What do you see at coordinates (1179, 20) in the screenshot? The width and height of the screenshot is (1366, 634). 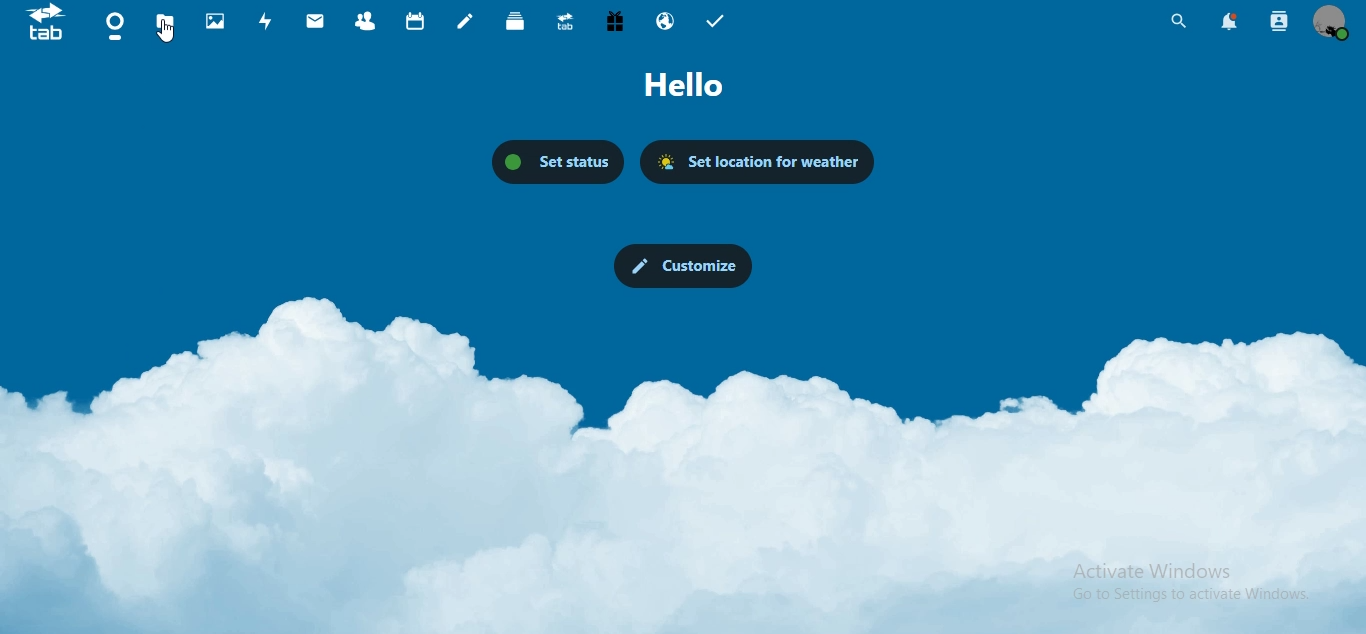 I see `unified search` at bounding box center [1179, 20].